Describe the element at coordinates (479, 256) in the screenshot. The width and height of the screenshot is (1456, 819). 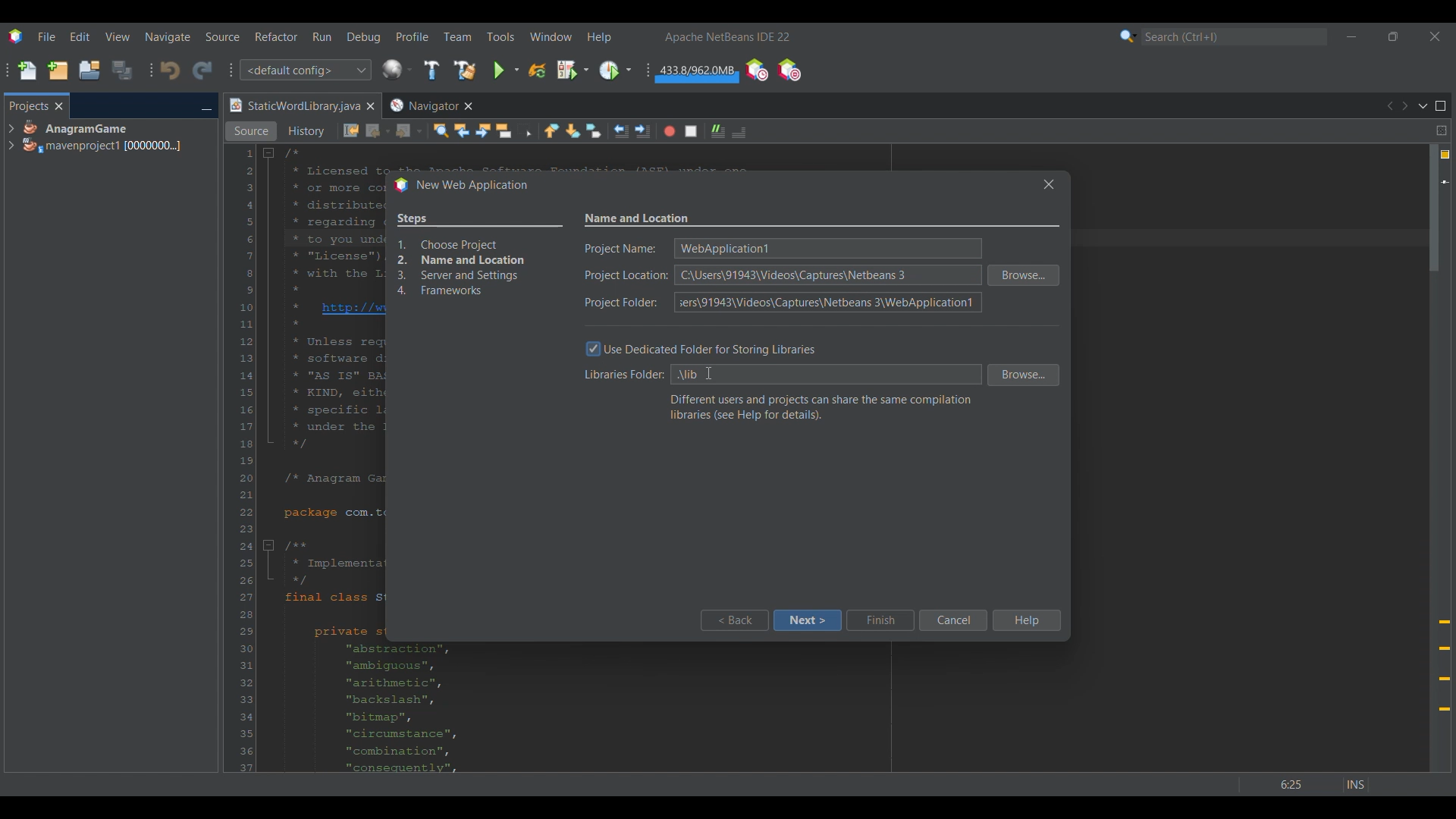
I see `Overview of process changed` at that location.